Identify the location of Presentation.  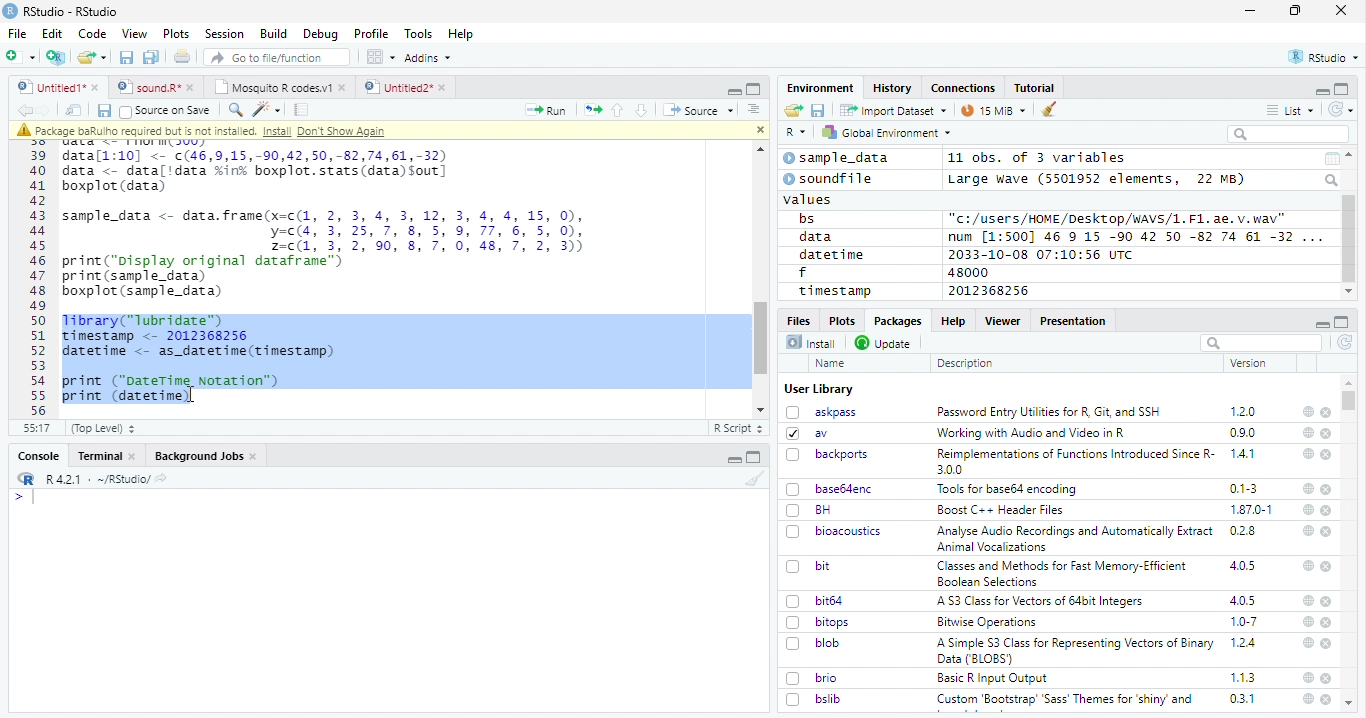
(1074, 321).